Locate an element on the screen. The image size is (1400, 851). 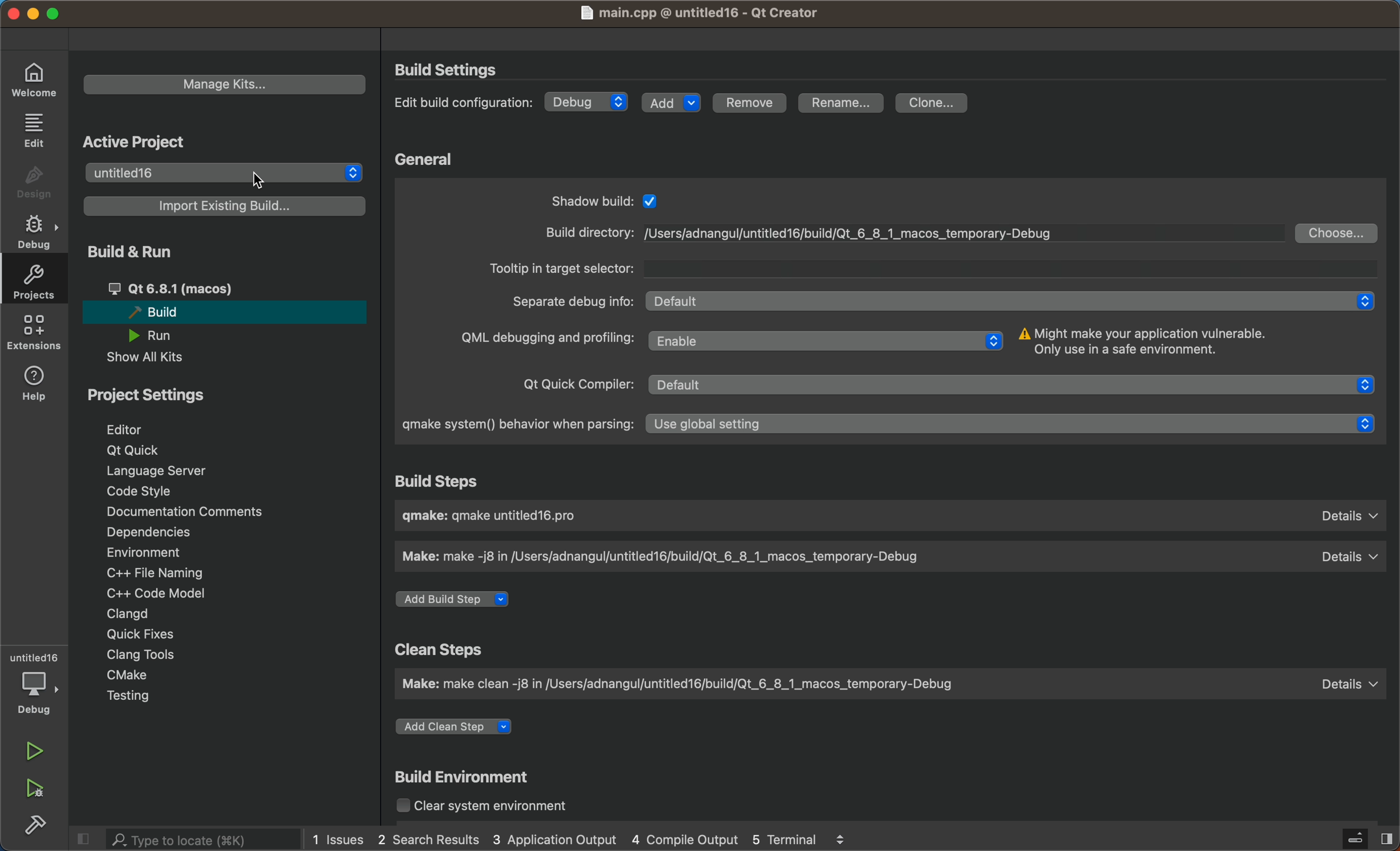
build is located at coordinates (466, 775).